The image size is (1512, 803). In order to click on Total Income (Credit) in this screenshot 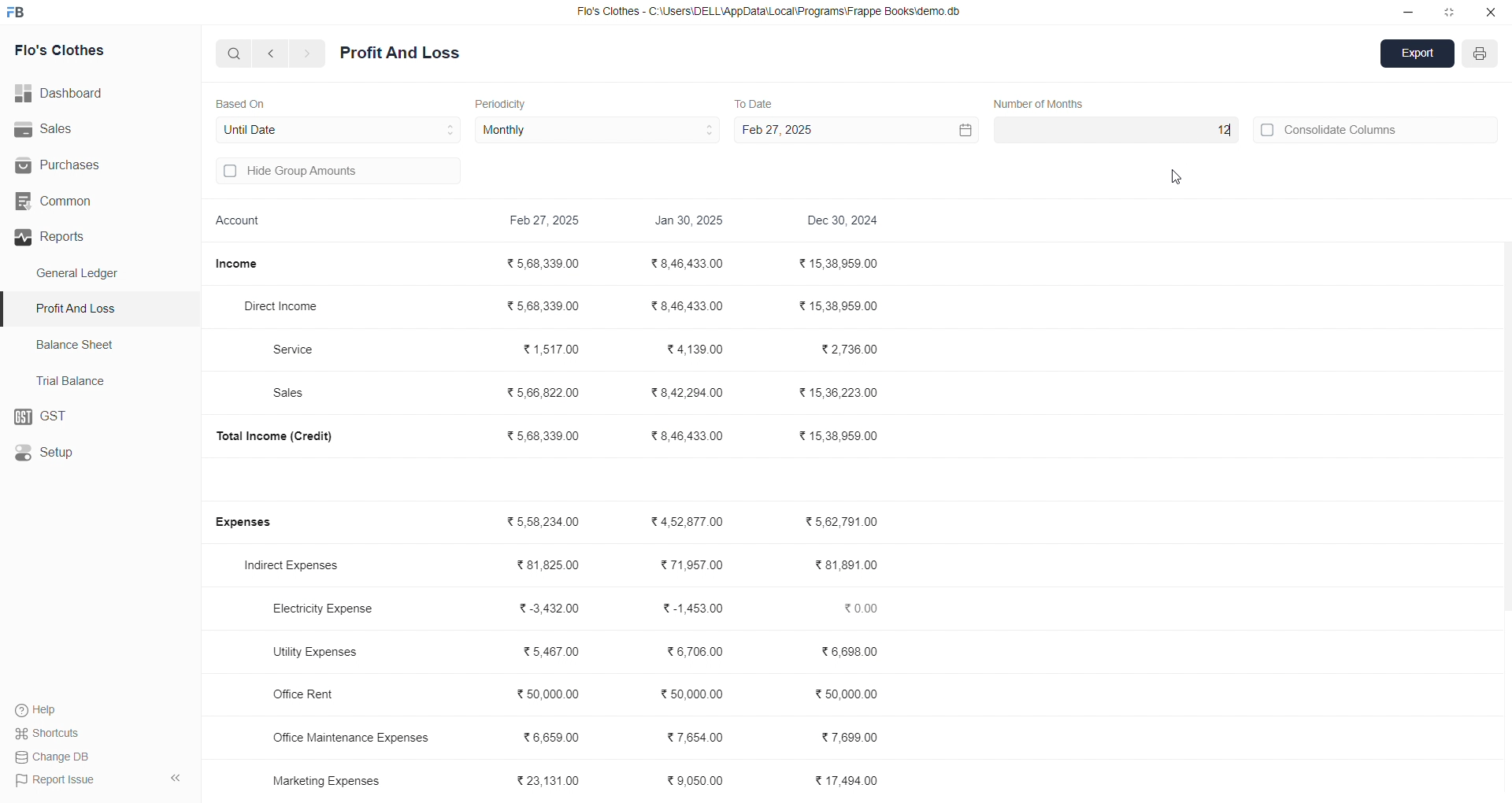, I will do `click(287, 435)`.